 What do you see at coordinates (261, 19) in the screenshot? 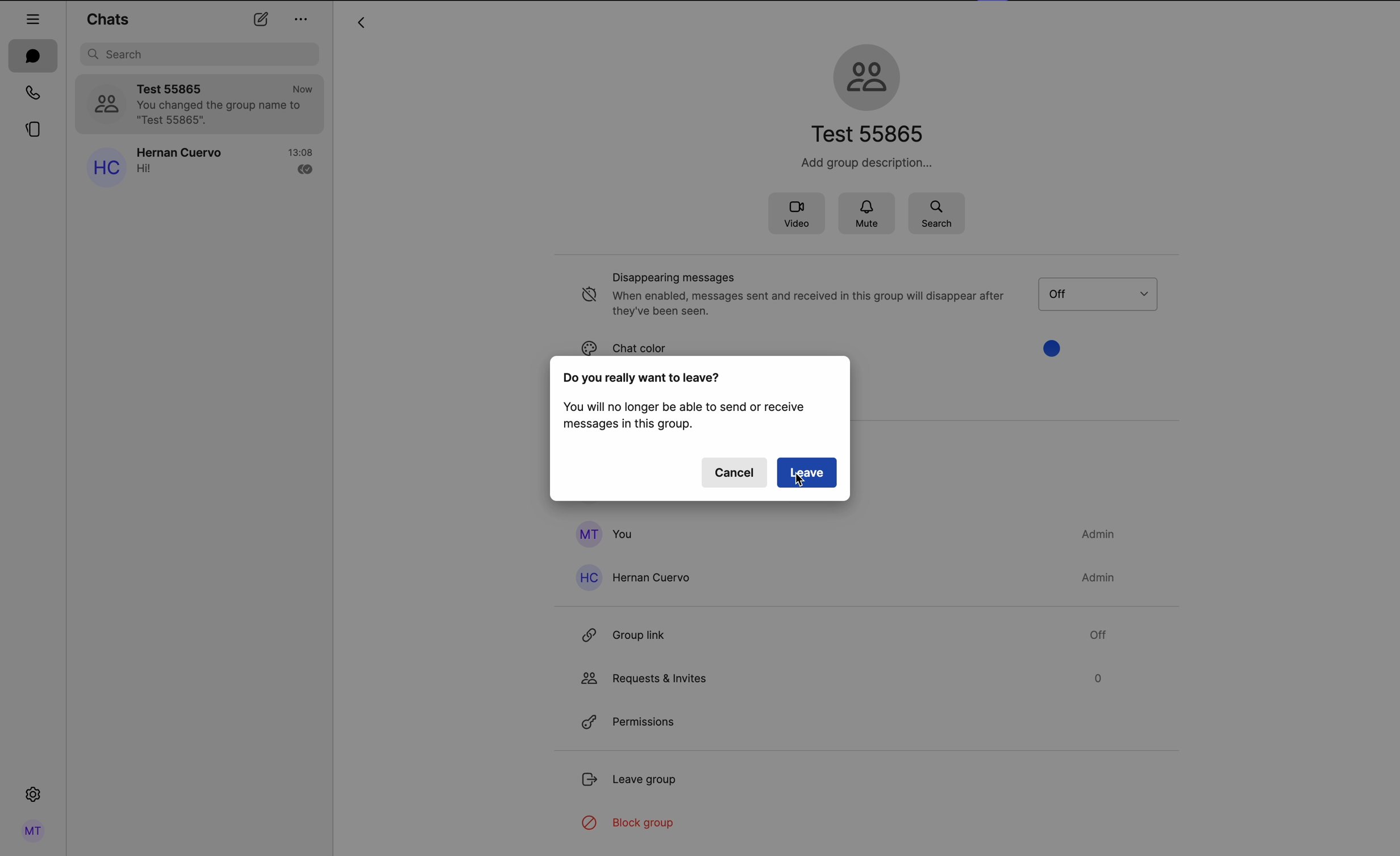
I see `new chat` at bounding box center [261, 19].